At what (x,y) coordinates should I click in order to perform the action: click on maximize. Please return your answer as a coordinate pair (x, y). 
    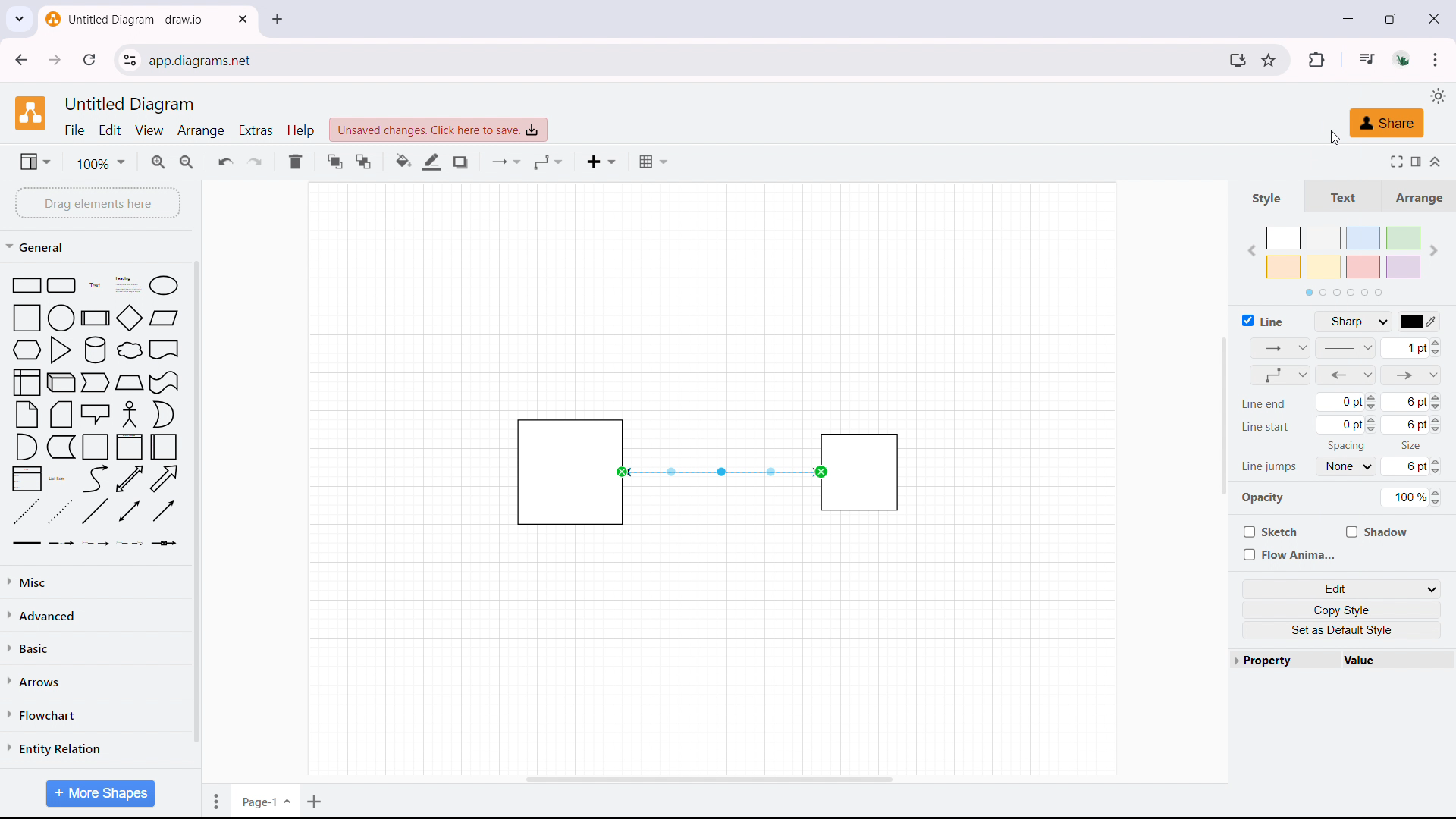
    Looking at the image, I should click on (1394, 17).